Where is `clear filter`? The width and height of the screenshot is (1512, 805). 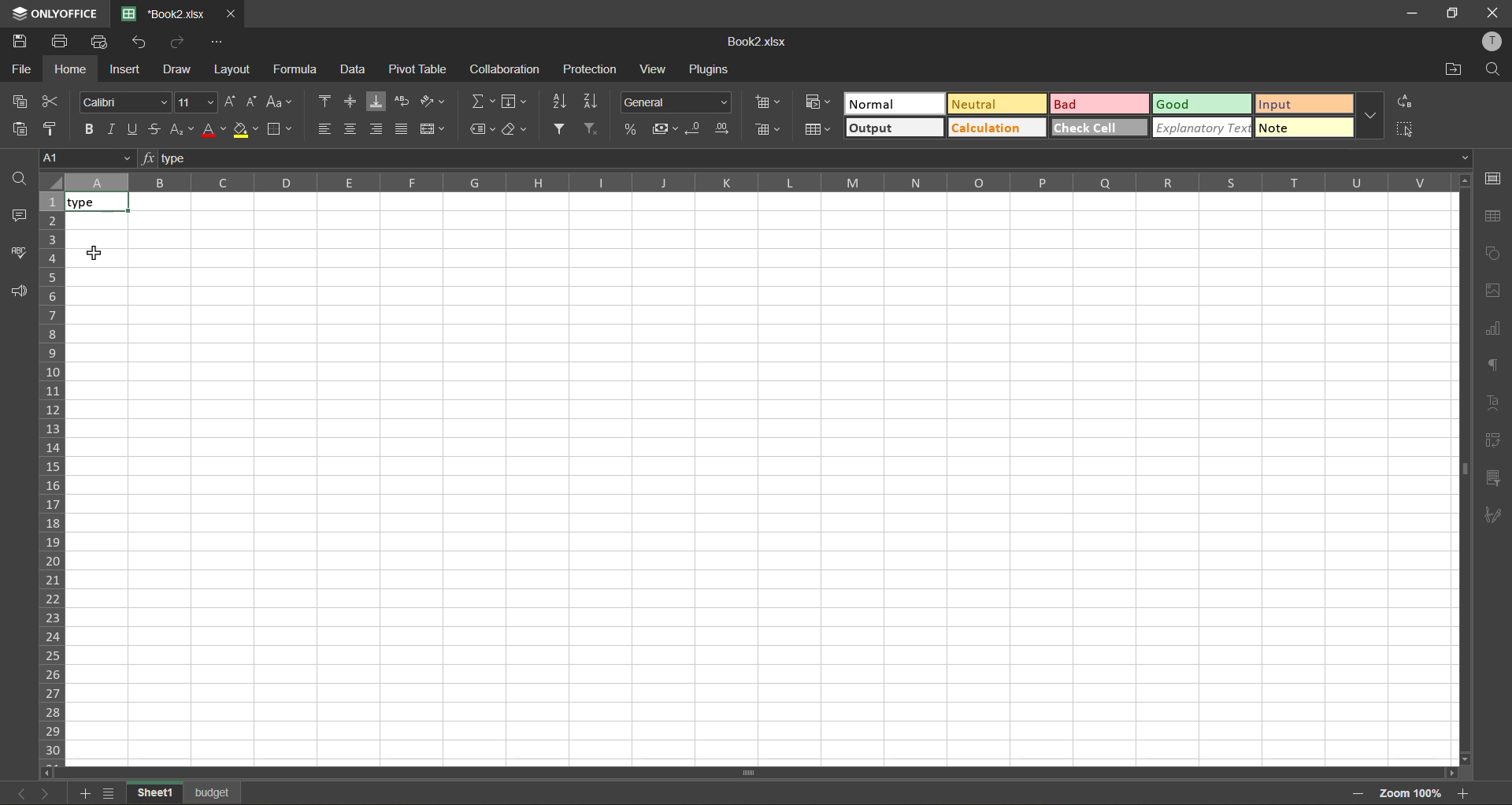 clear filter is located at coordinates (591, 129).